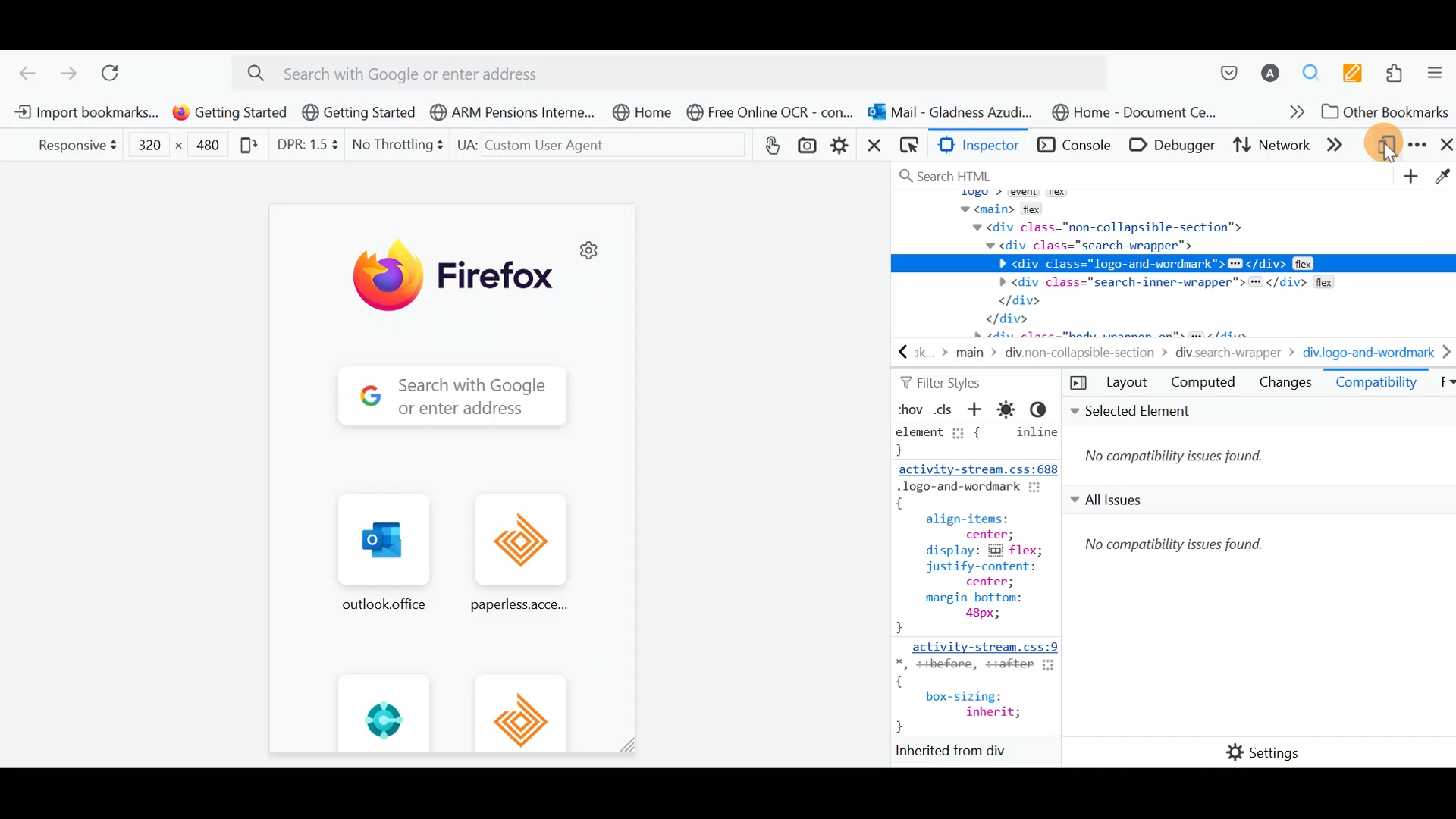 The height and width of the screenshot is (819, 1456). Describe the element at coordinates (977, 146) in the screenshot. I see `Inspector` at that location.